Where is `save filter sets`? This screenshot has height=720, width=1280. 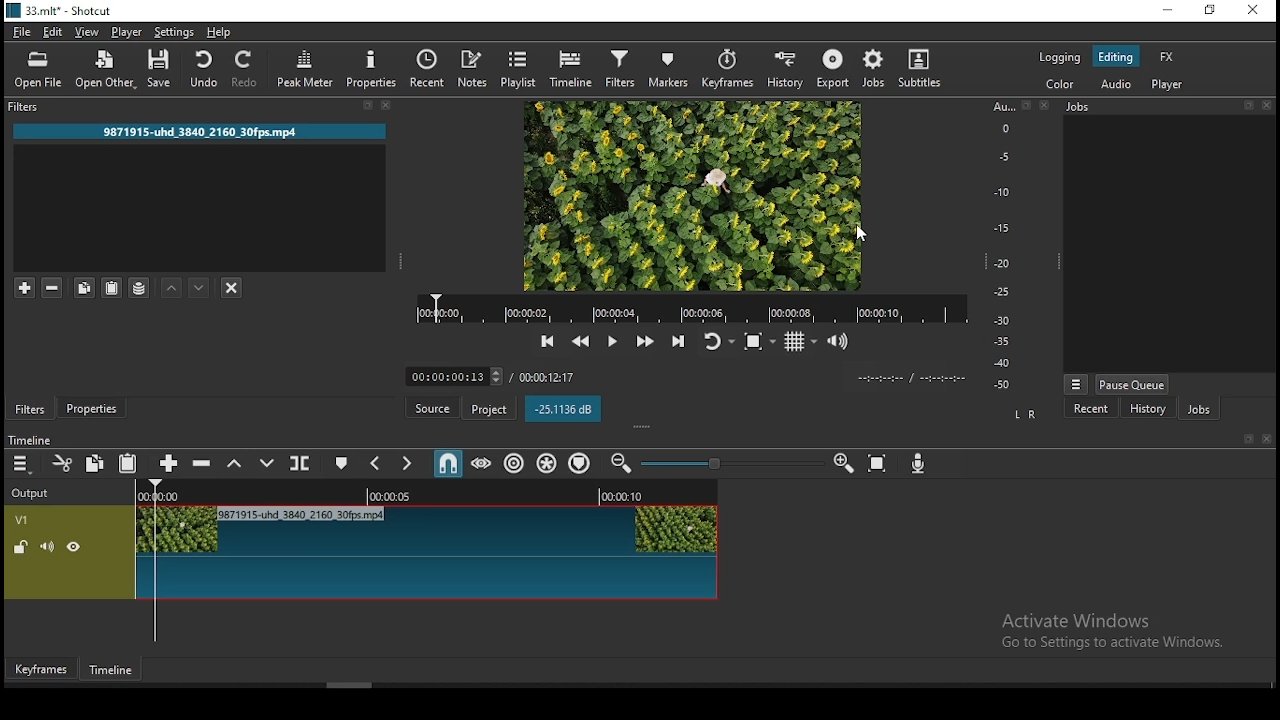
save filter sets is located at coordinates (141, 290).